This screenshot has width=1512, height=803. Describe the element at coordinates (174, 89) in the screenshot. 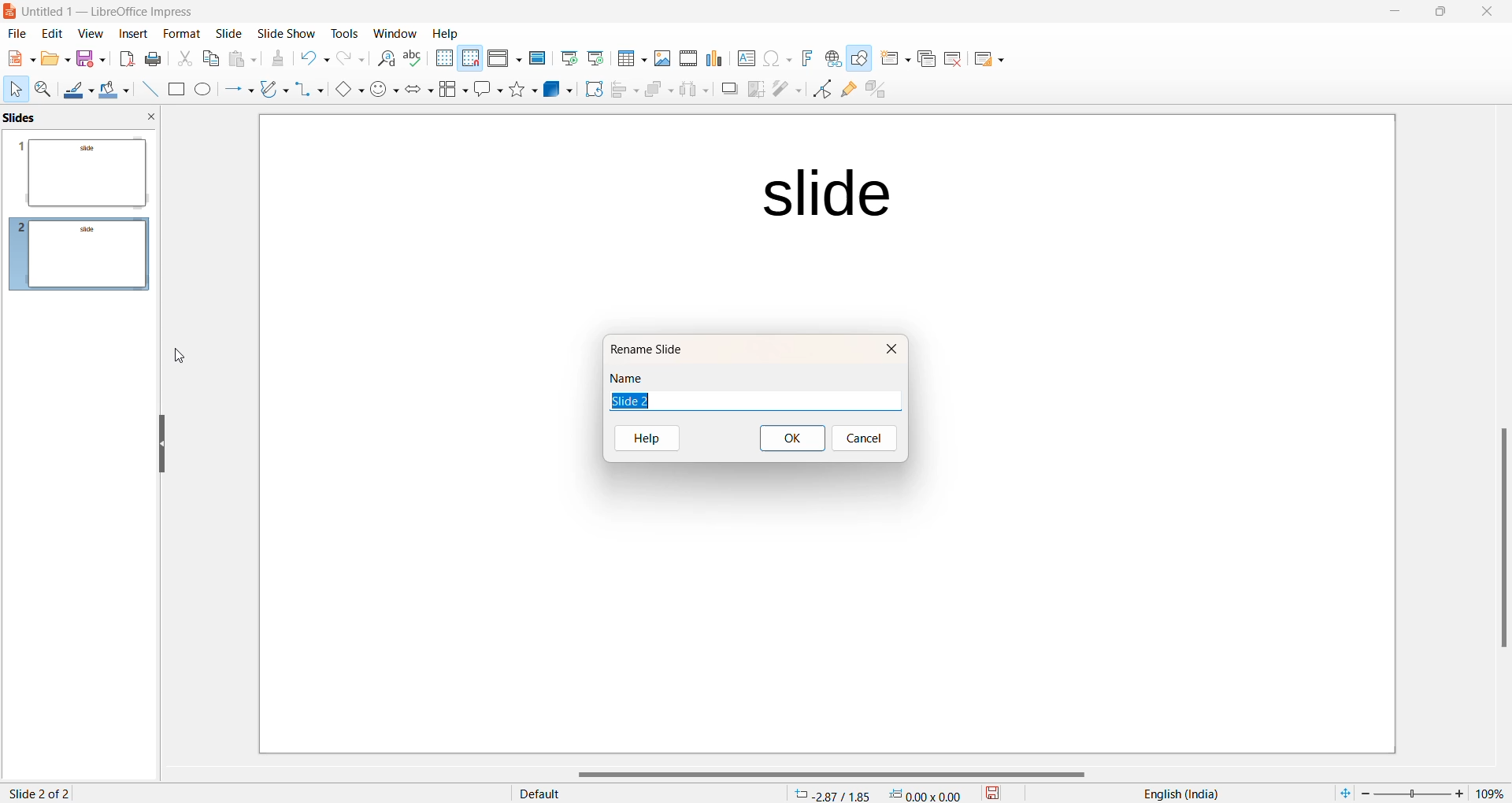

I see `Rectangle` at that location.